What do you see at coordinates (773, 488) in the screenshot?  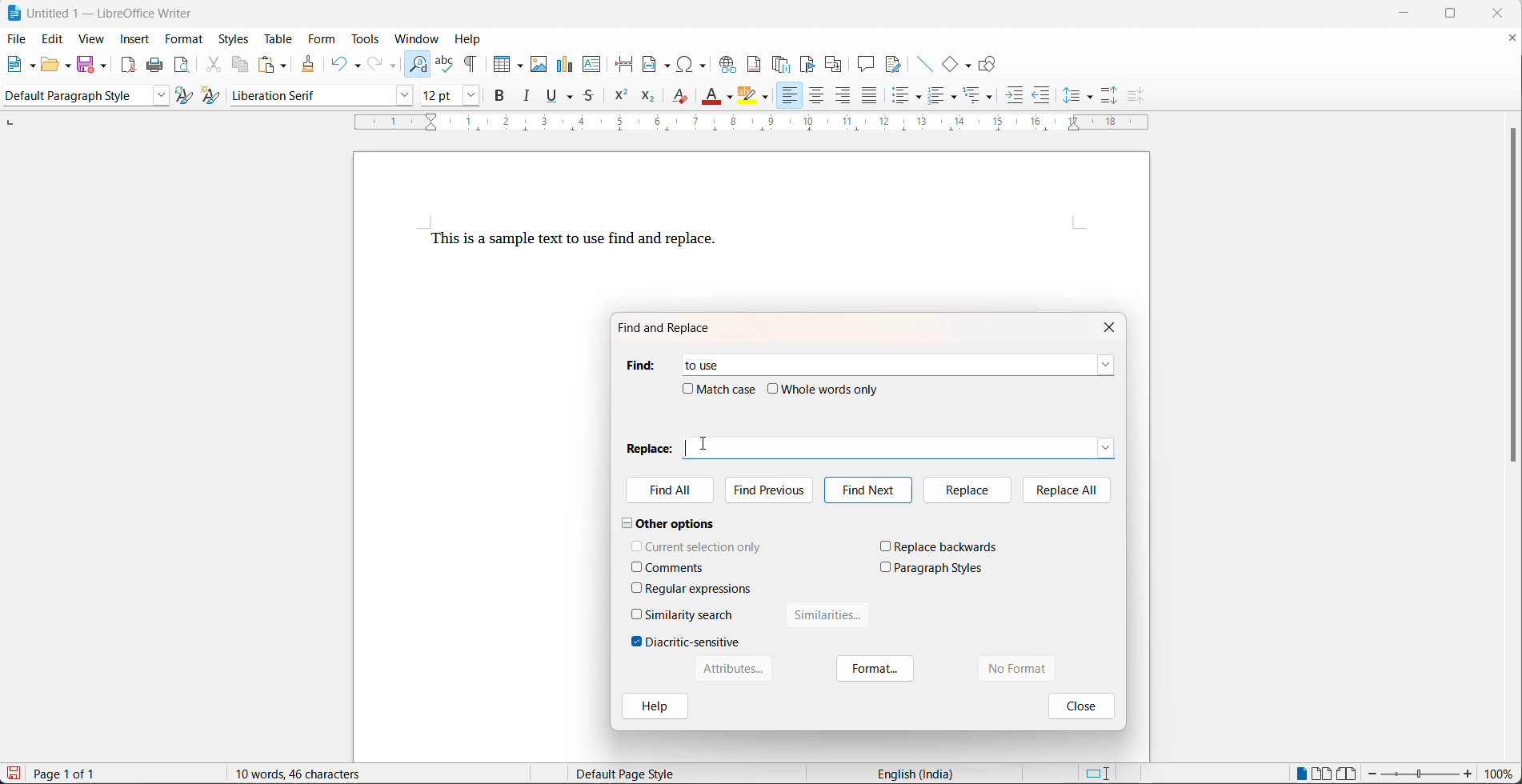 I see `find previous` at bounding box center [773, 488].